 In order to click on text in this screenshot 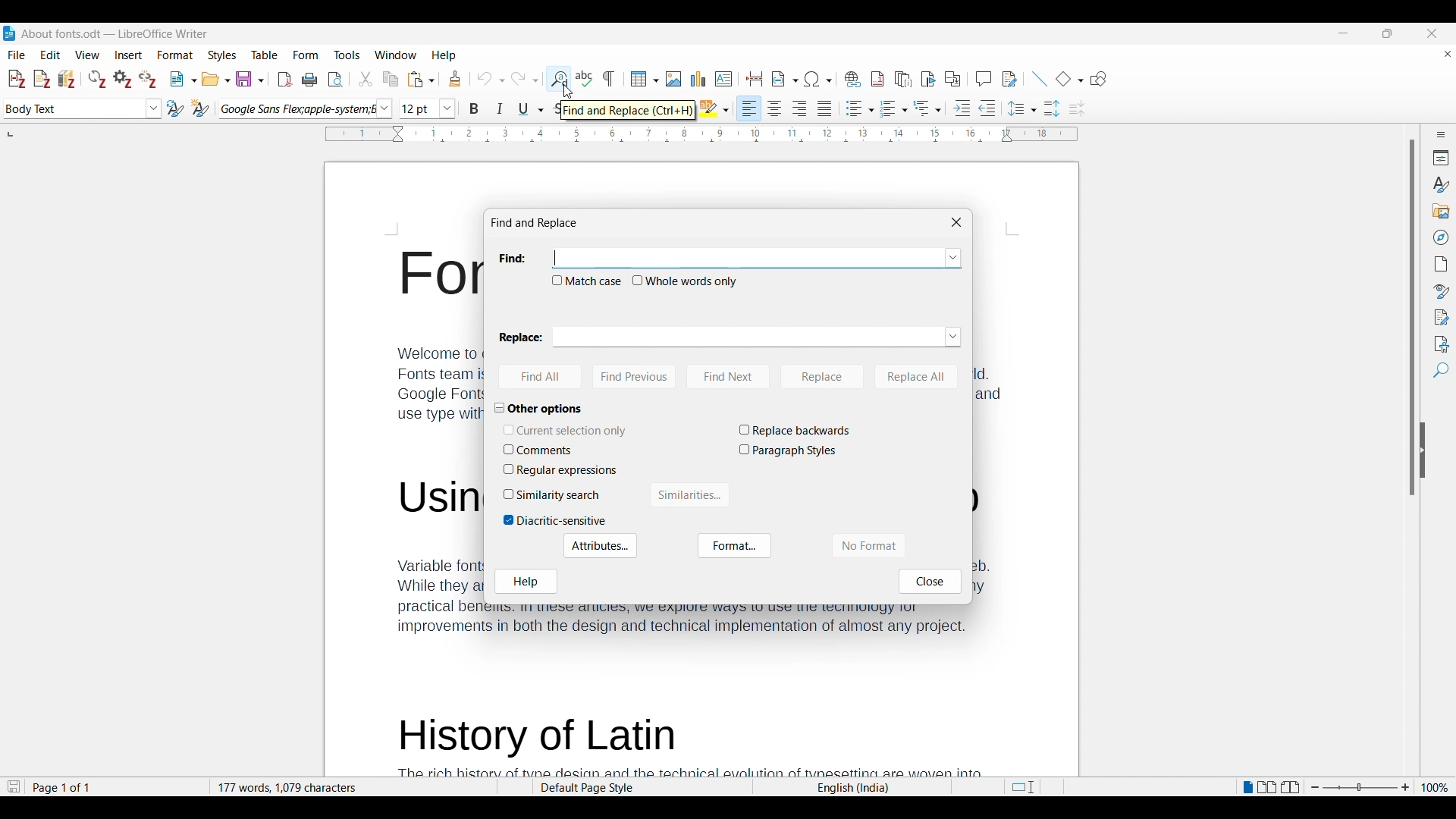, I will do `click(414, 439)`.